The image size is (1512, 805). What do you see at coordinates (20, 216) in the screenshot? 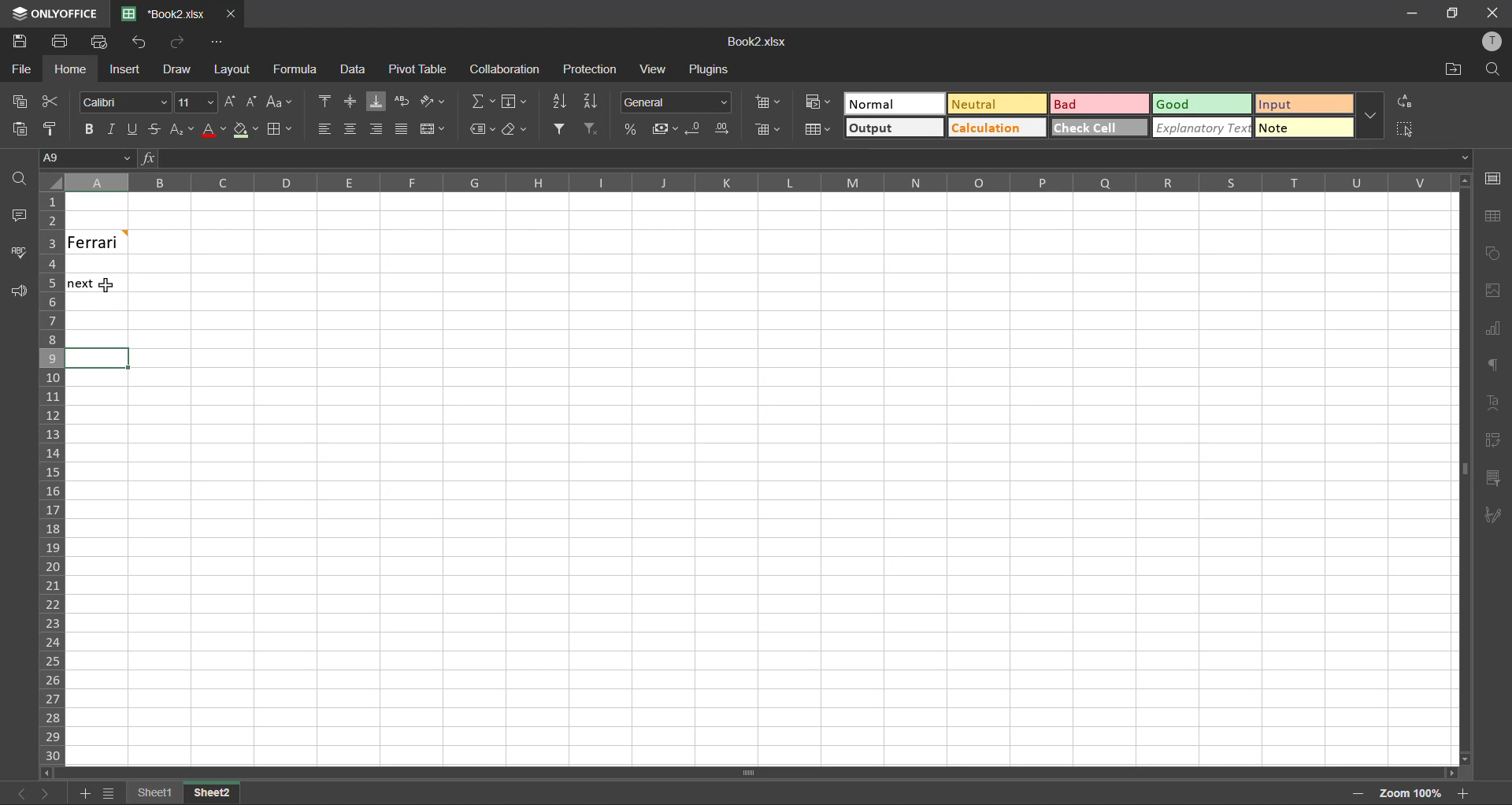
I see `comments` at bounding box center [20, 216].